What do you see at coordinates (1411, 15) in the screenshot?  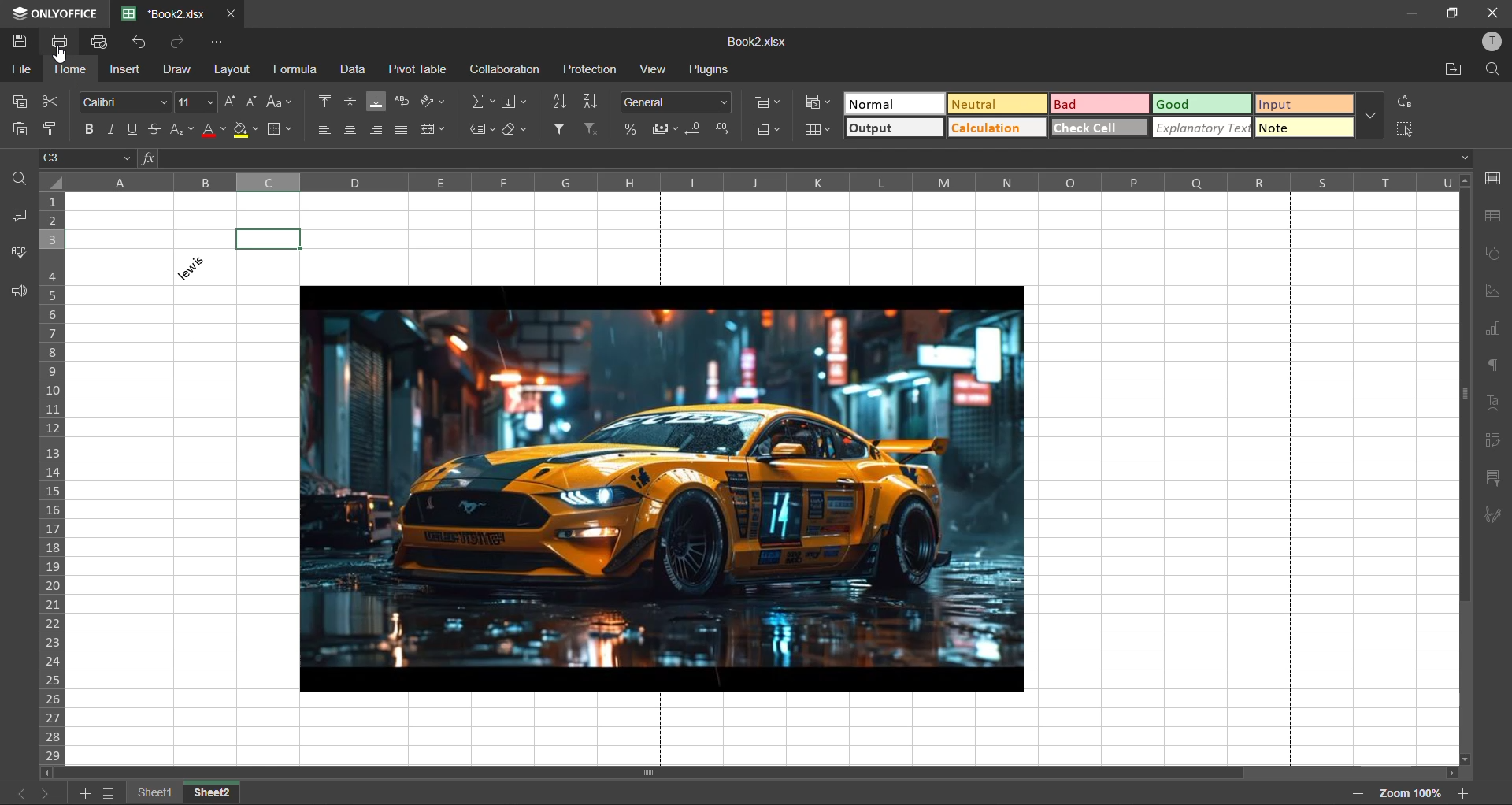 I see `minimize` at bounding box center [1411, 15].